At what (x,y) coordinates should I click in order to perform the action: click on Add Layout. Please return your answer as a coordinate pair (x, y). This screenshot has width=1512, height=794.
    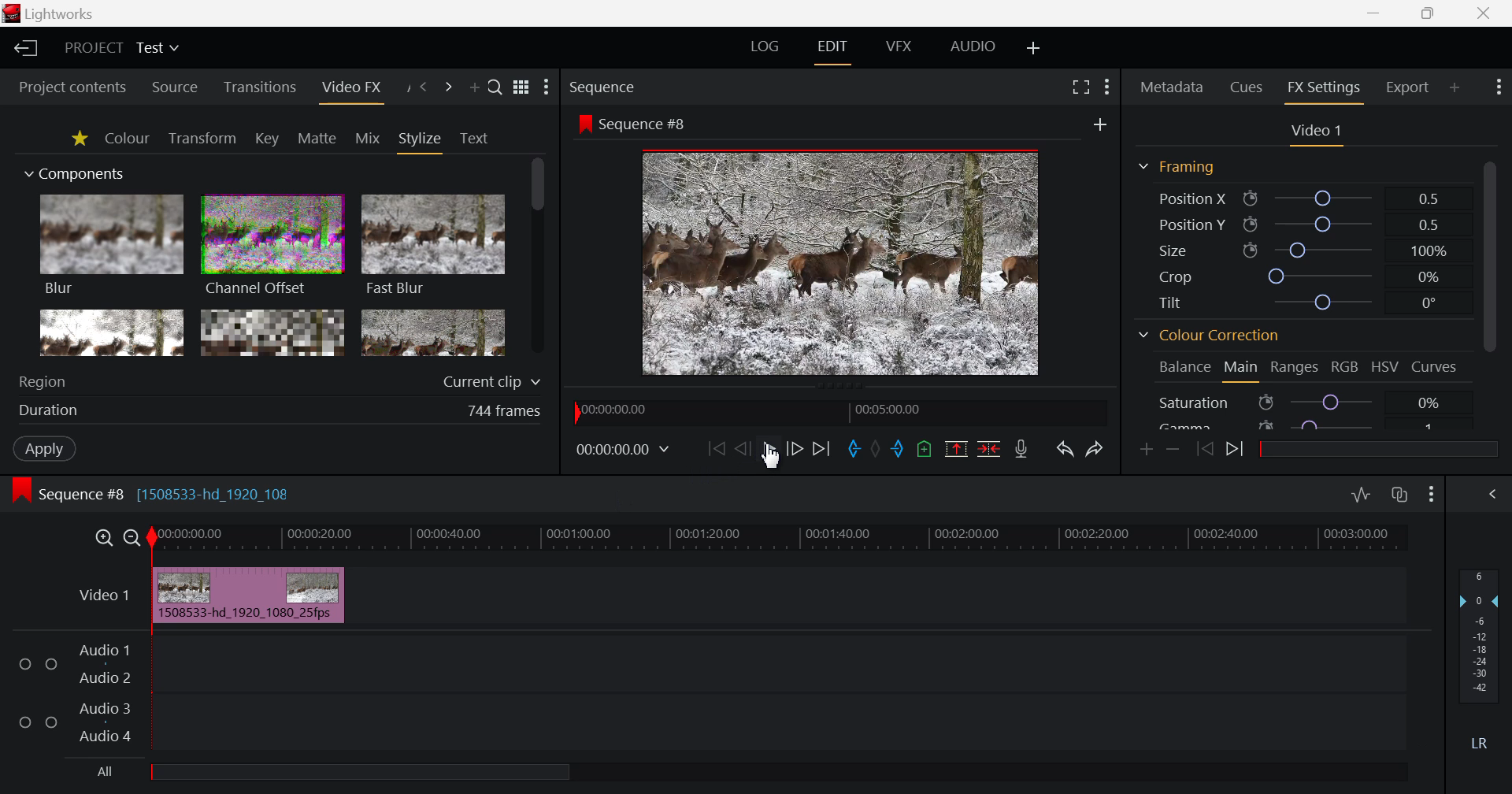
    Looking at the image, I should click on (1032, 48).